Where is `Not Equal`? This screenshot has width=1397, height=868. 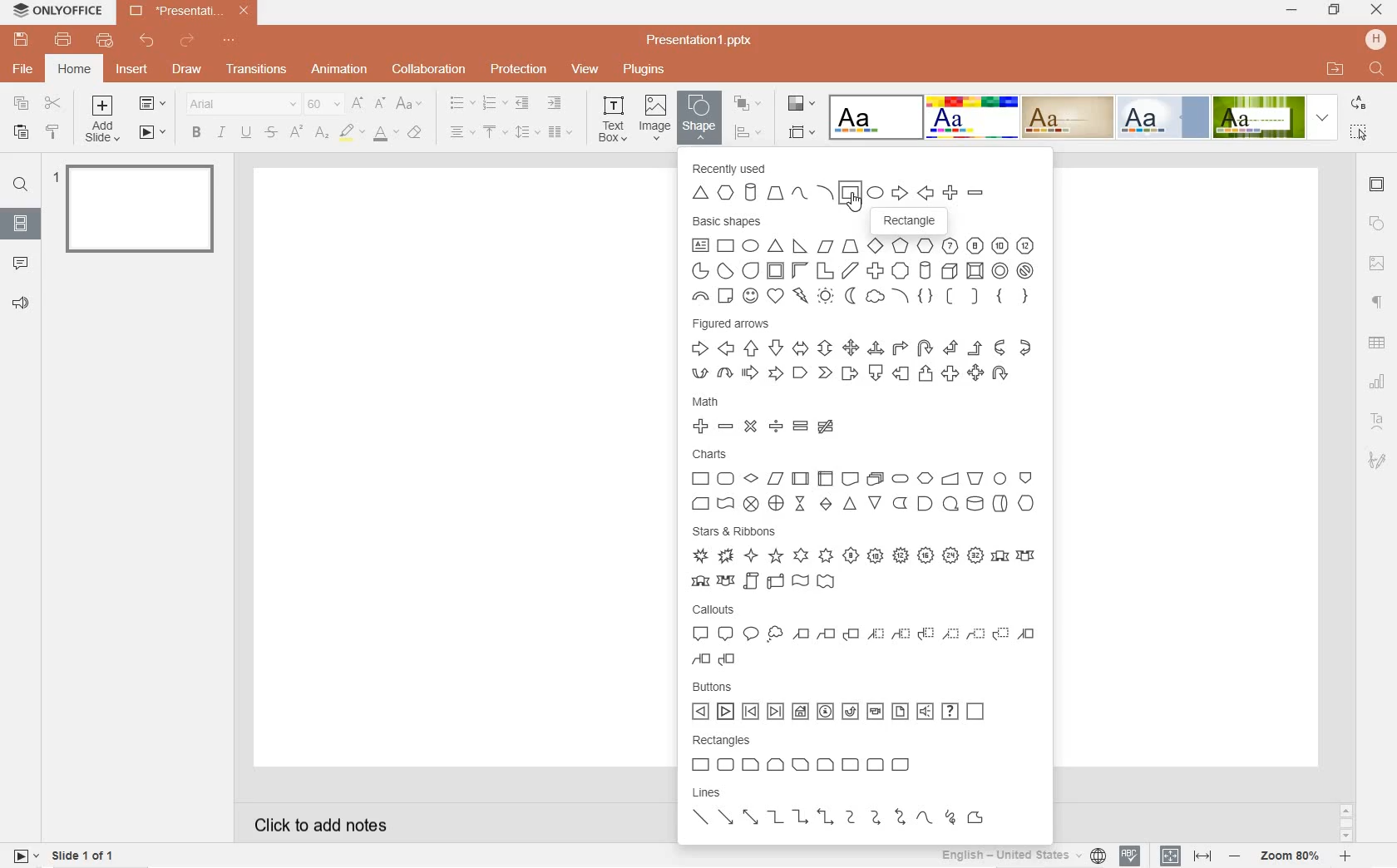 Not Equal is located at coordinates (827, 427).